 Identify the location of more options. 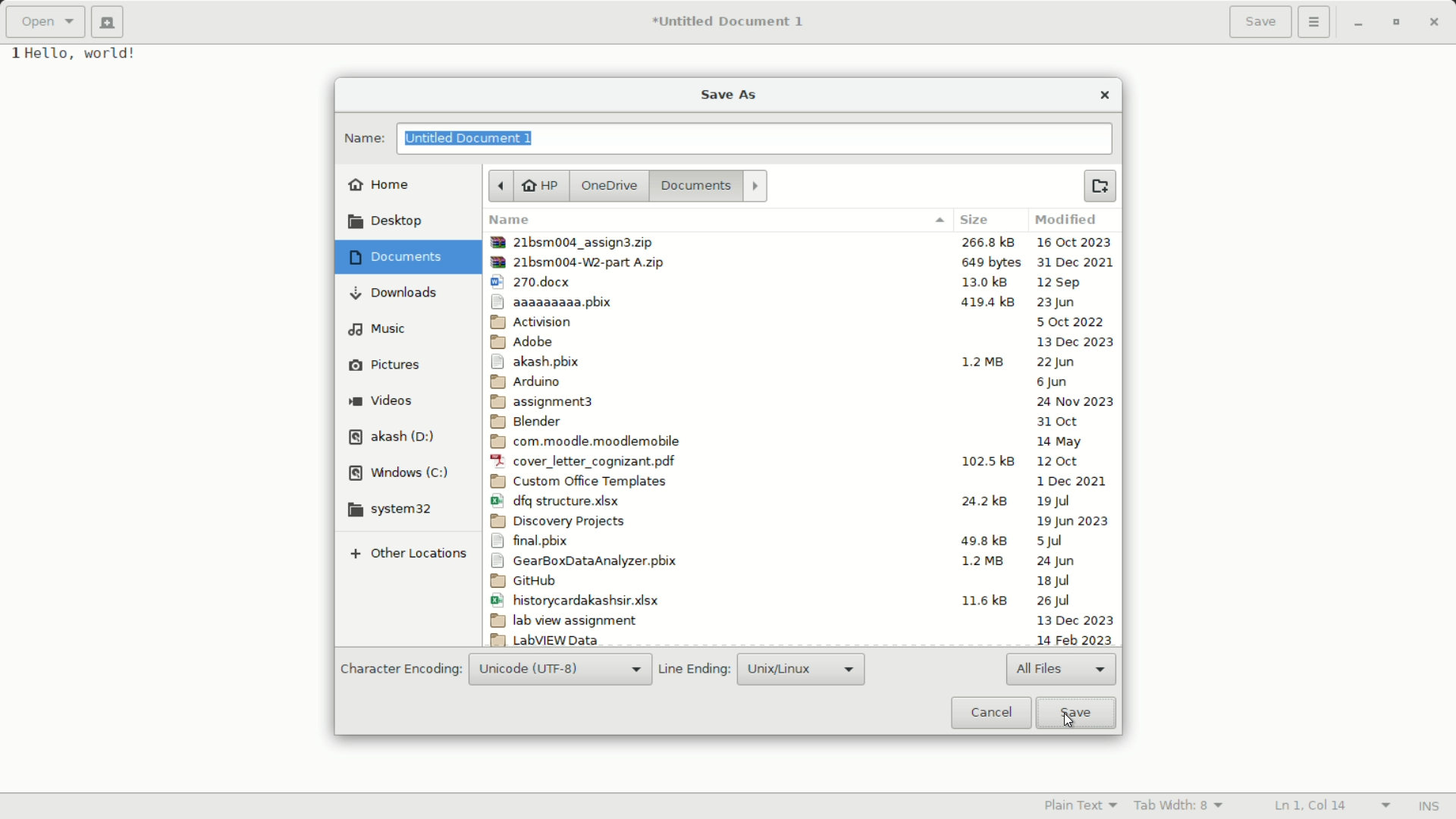
(1314, 22).